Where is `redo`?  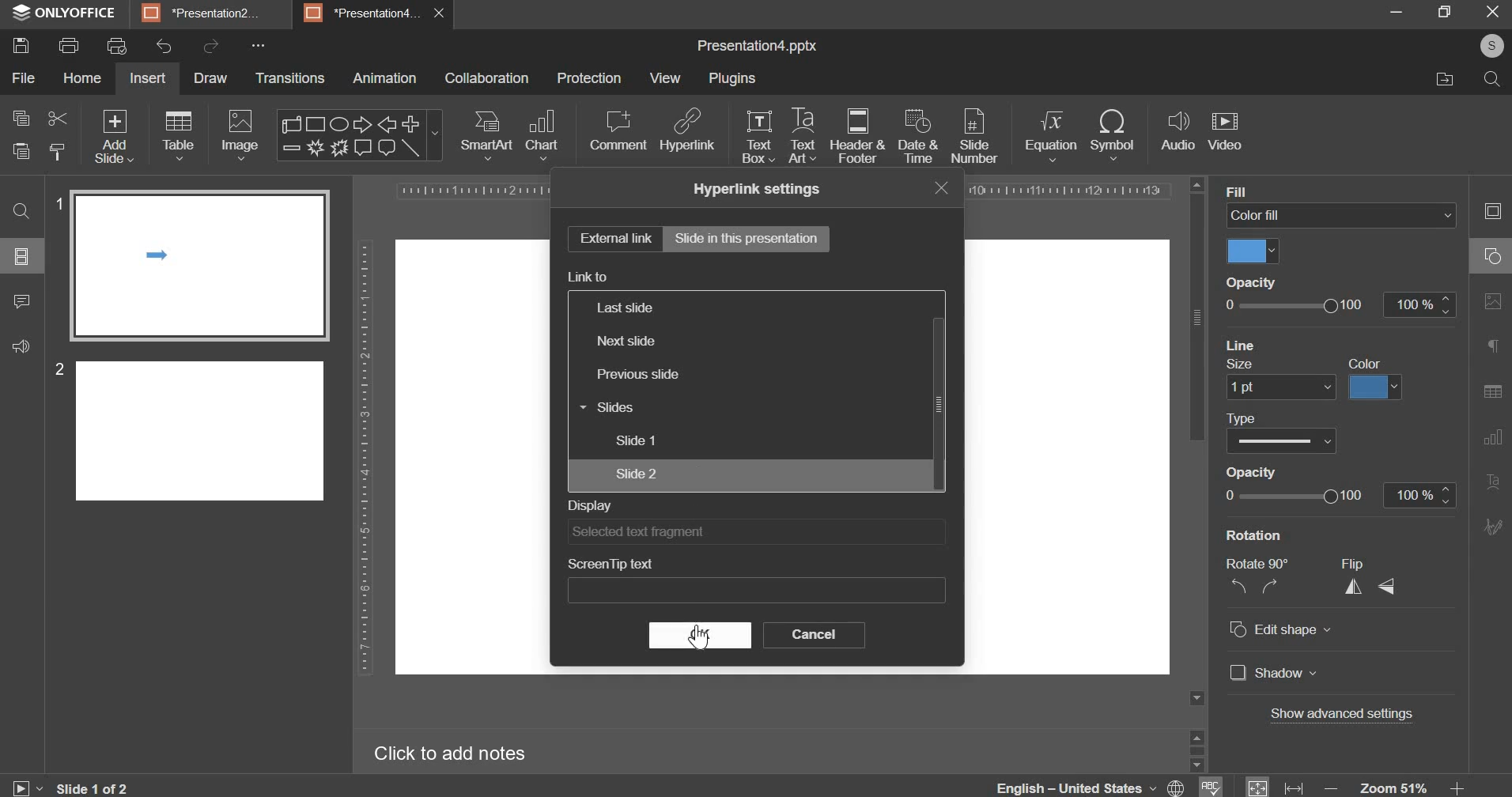
redo is located at coordinates (211, 46).